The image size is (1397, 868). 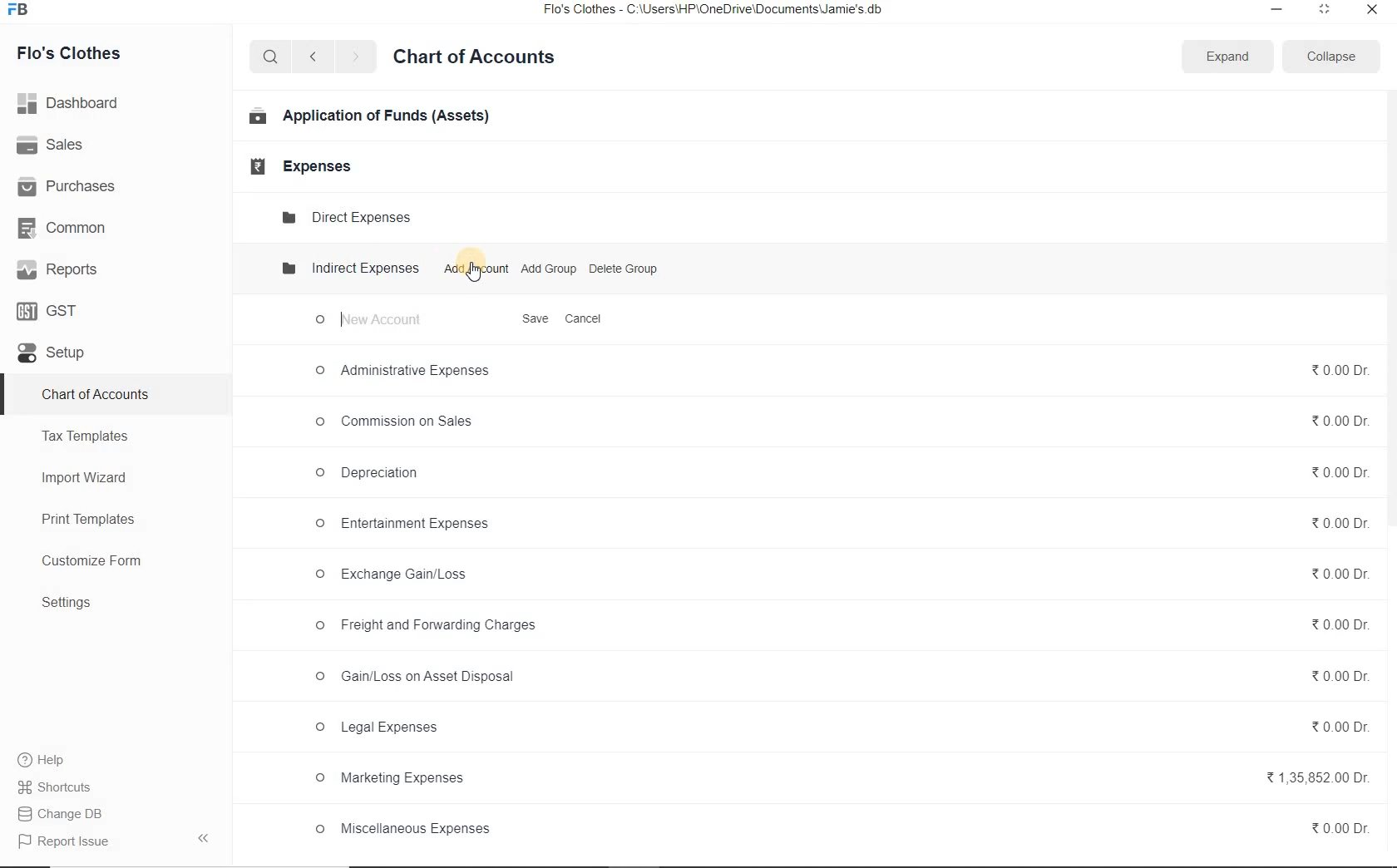 What do you see at coordinates (344, 216) in the screenshot?
I see `Direct Expense` at bounding box center [344, 216].